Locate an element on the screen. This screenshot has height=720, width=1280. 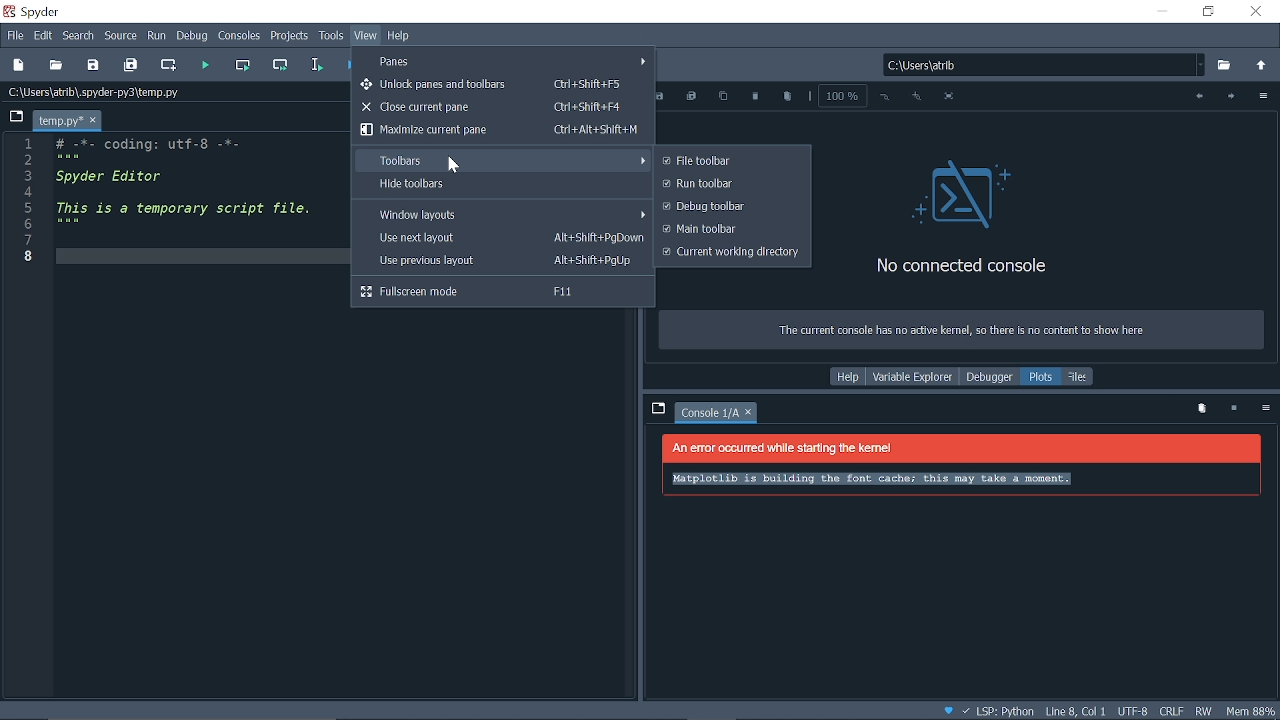
Options is located at coordinates (1265, 410).